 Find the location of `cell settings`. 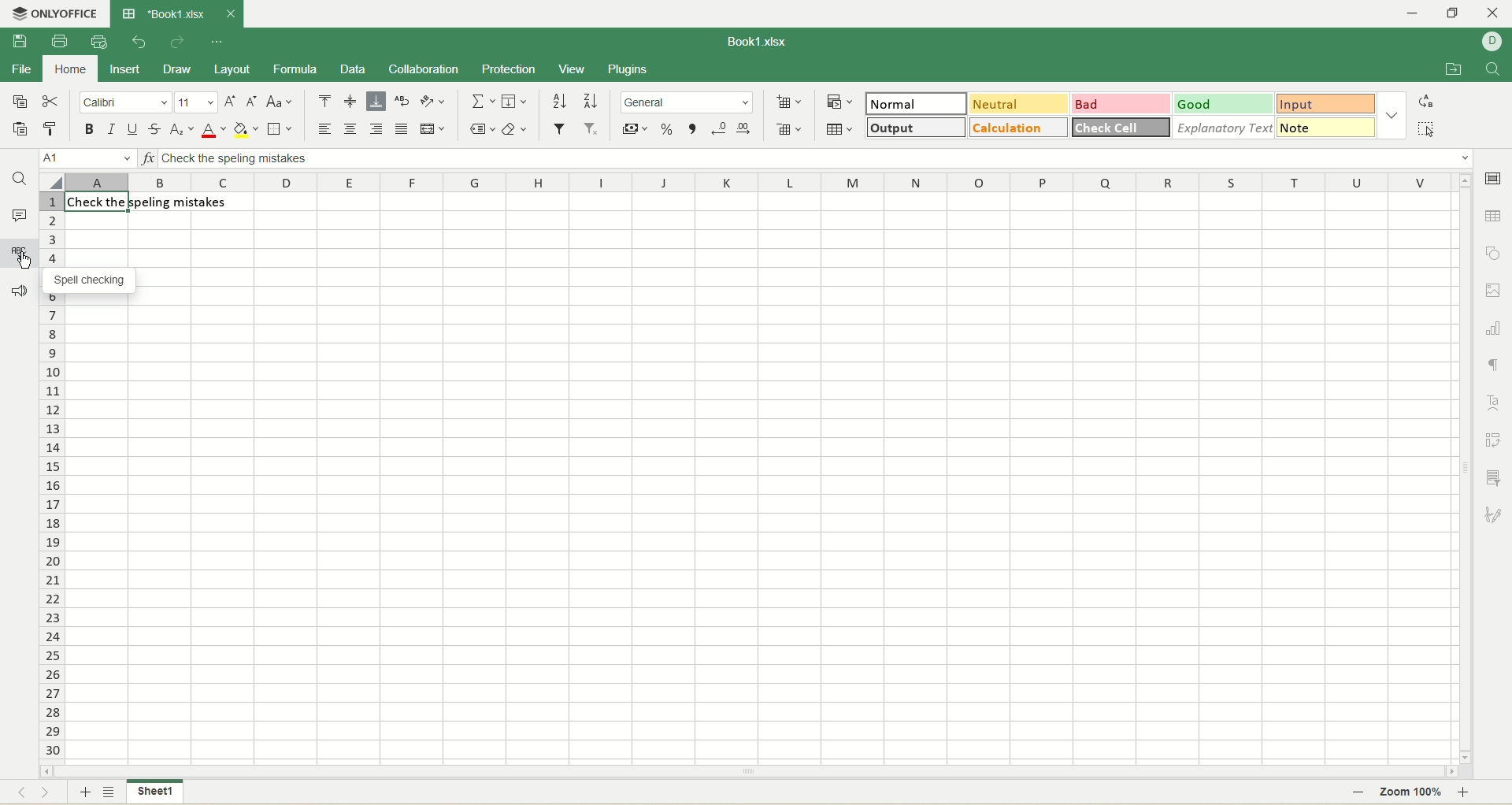

cell settings is located at coordinates (1495, 179).